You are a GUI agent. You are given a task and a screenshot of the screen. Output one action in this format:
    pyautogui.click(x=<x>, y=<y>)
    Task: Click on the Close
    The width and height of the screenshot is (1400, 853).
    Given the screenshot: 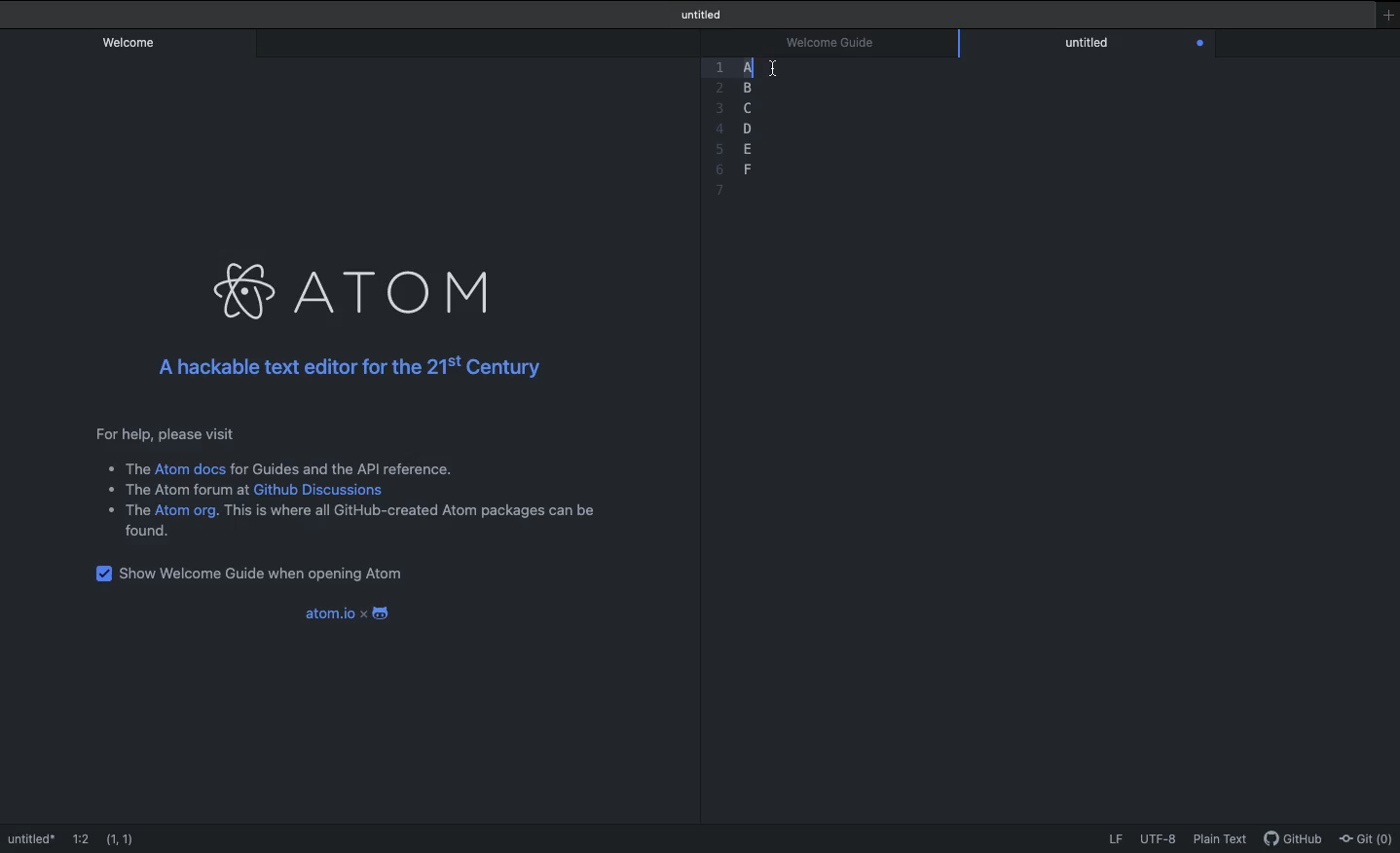 What is the action you would take?
    pyautogui.click(x=1200, y=44)
    